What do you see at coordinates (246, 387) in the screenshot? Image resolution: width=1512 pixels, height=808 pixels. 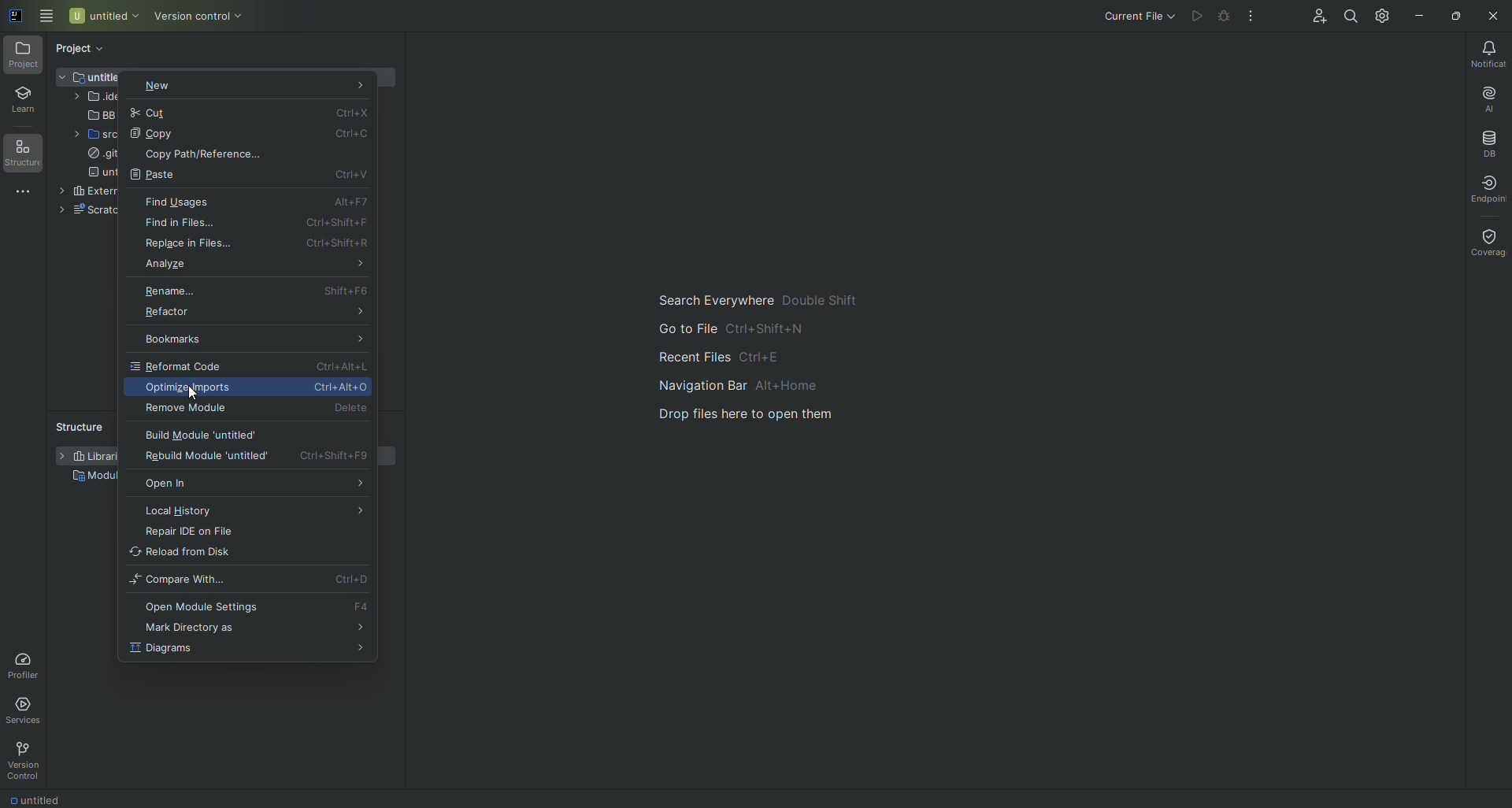 I see `Optimize Imports` at bounding box center [246, 387].